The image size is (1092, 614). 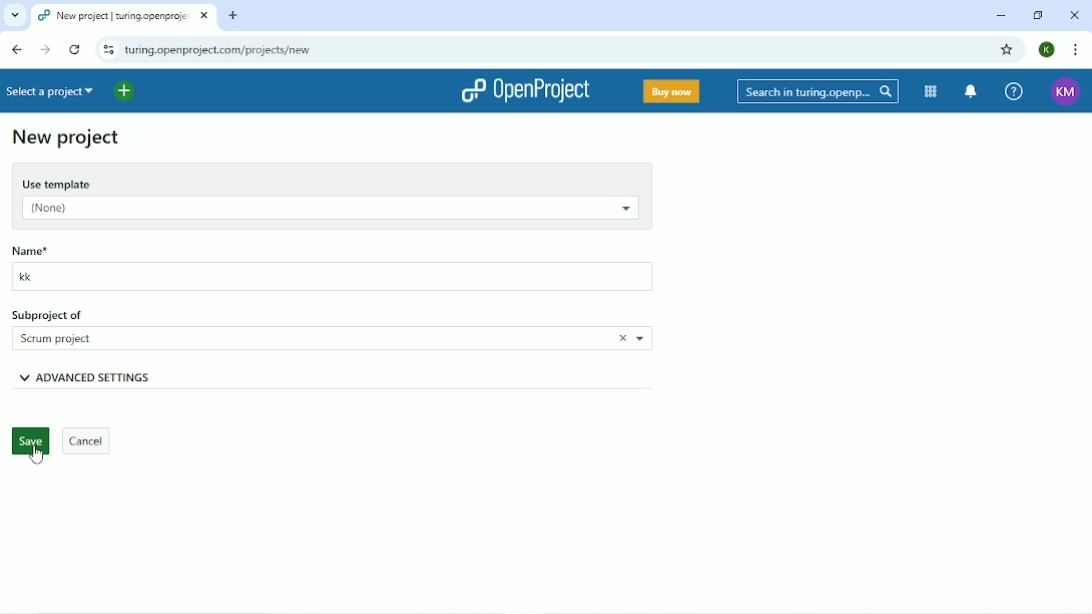 I want to click on Search tabs, so click(x=14, y=16).